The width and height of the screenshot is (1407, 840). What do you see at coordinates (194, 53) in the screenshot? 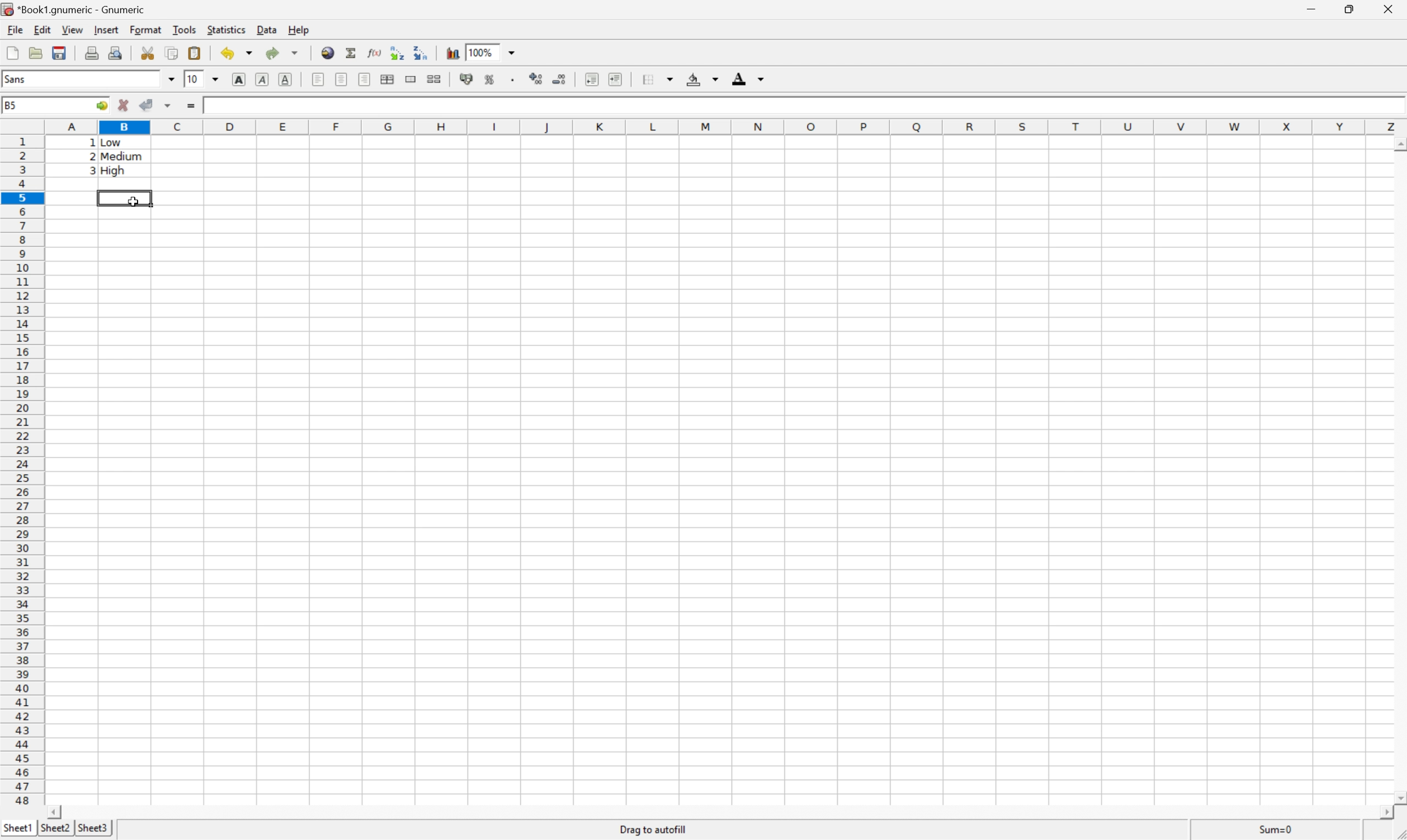
I see `Paste clipboard` at bounding box center [194, 53].